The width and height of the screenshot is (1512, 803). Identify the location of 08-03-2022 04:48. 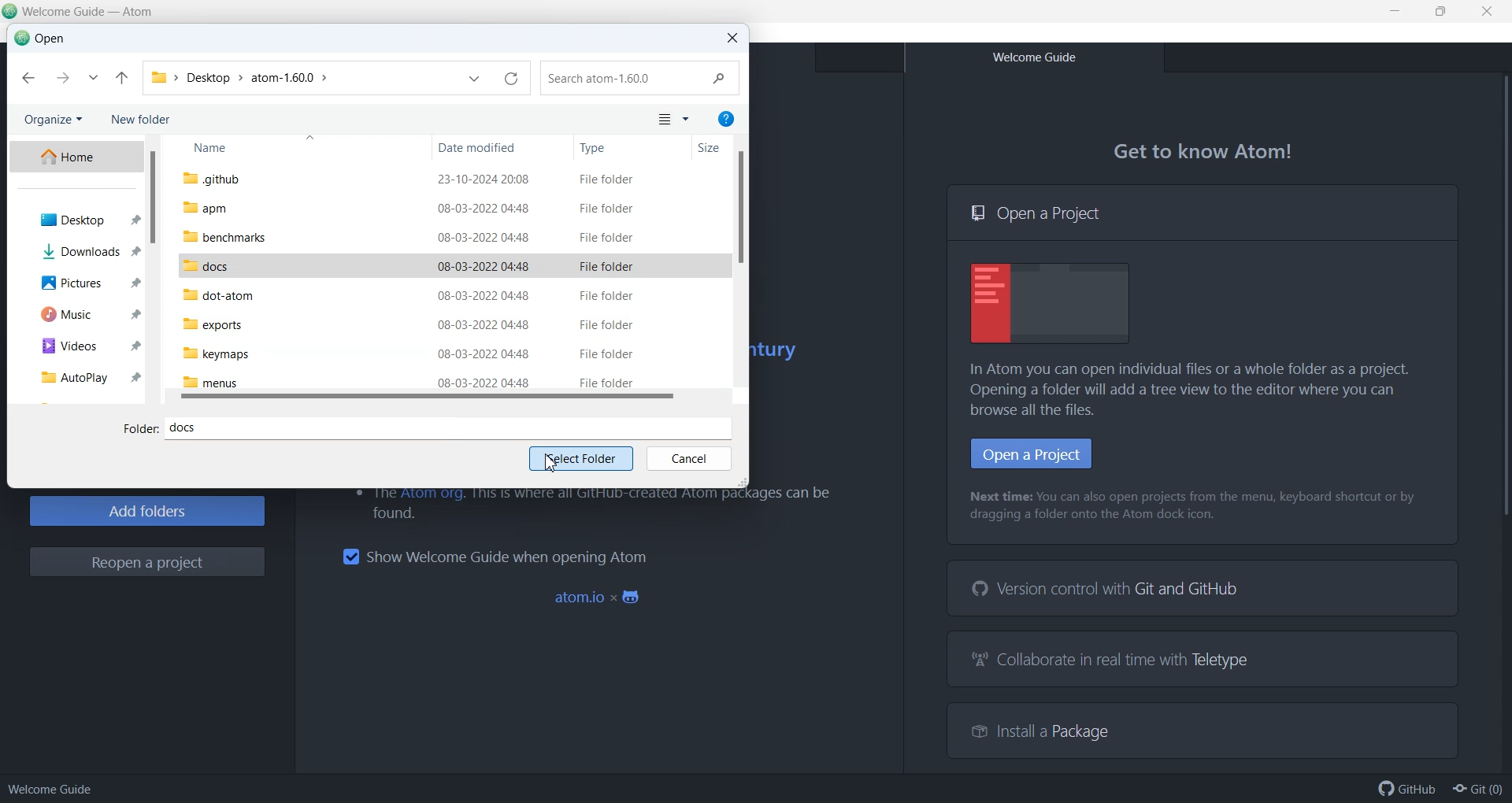
(484, 295).